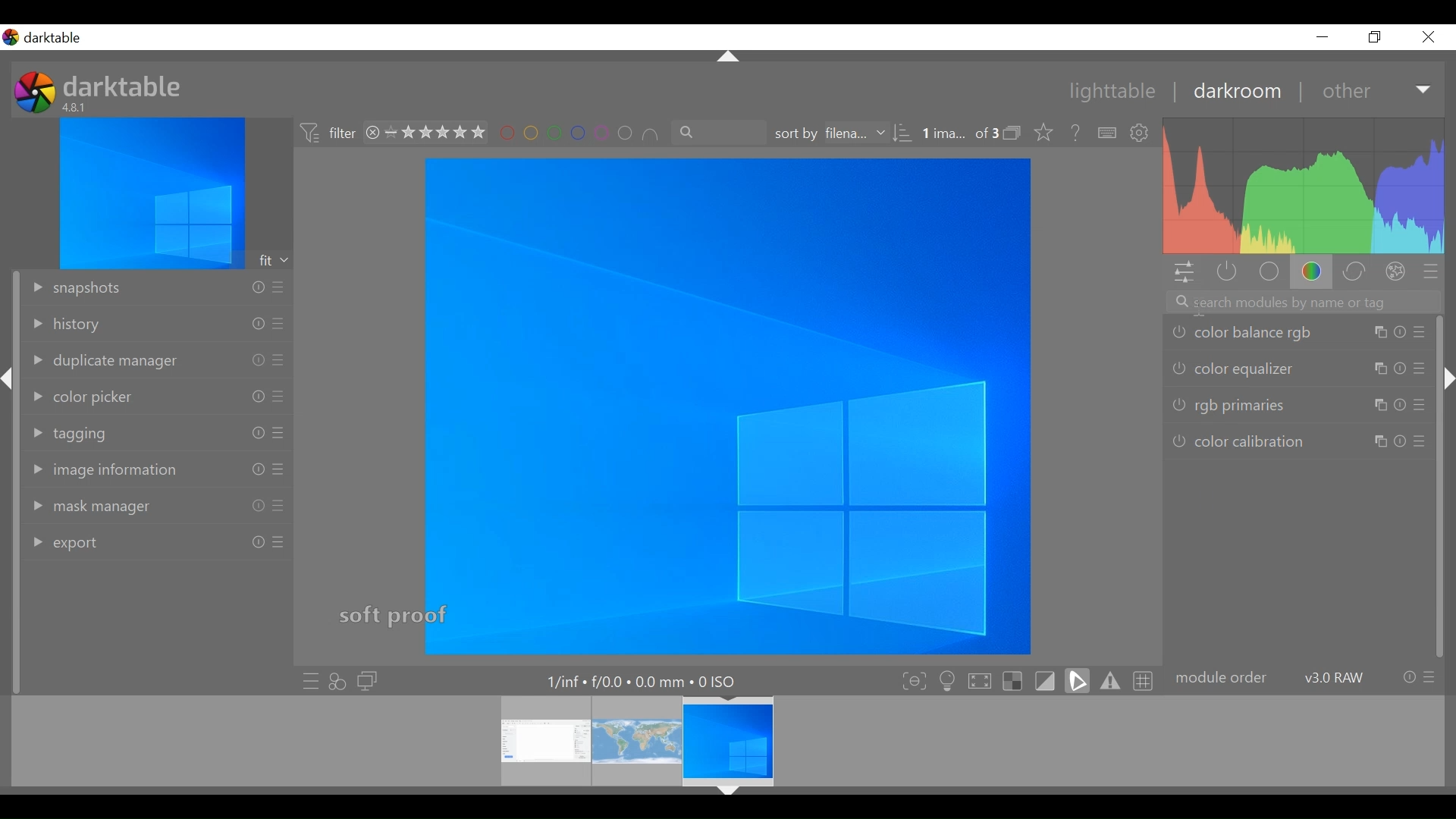 This screenshot has height=819, width=1456. Describe the element at coordinates (152, 193) in the screenshot. I see `image preview` at that location.